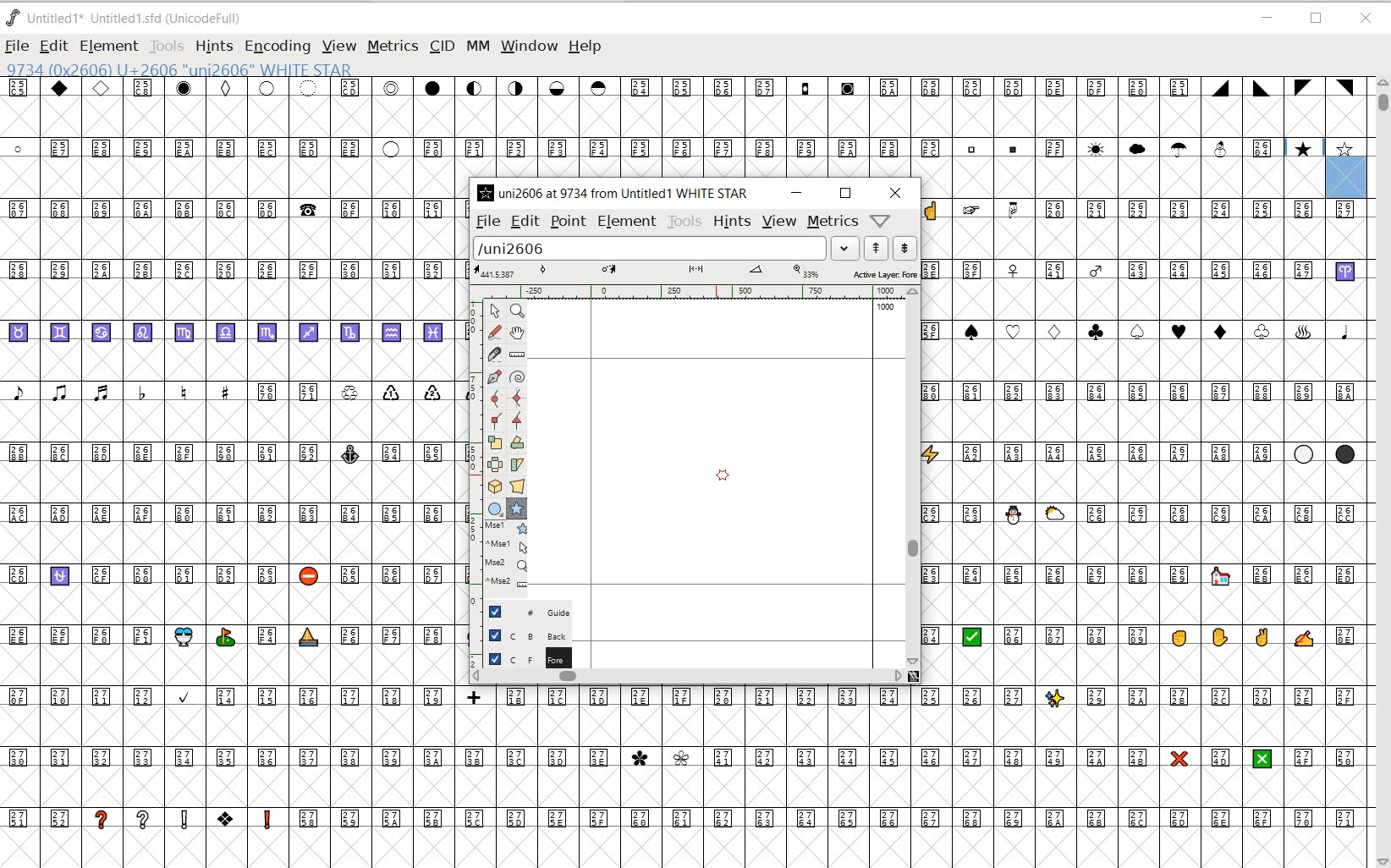 The image size is (1391, 868). I want to click on CLOSE, so click(1366, 19).